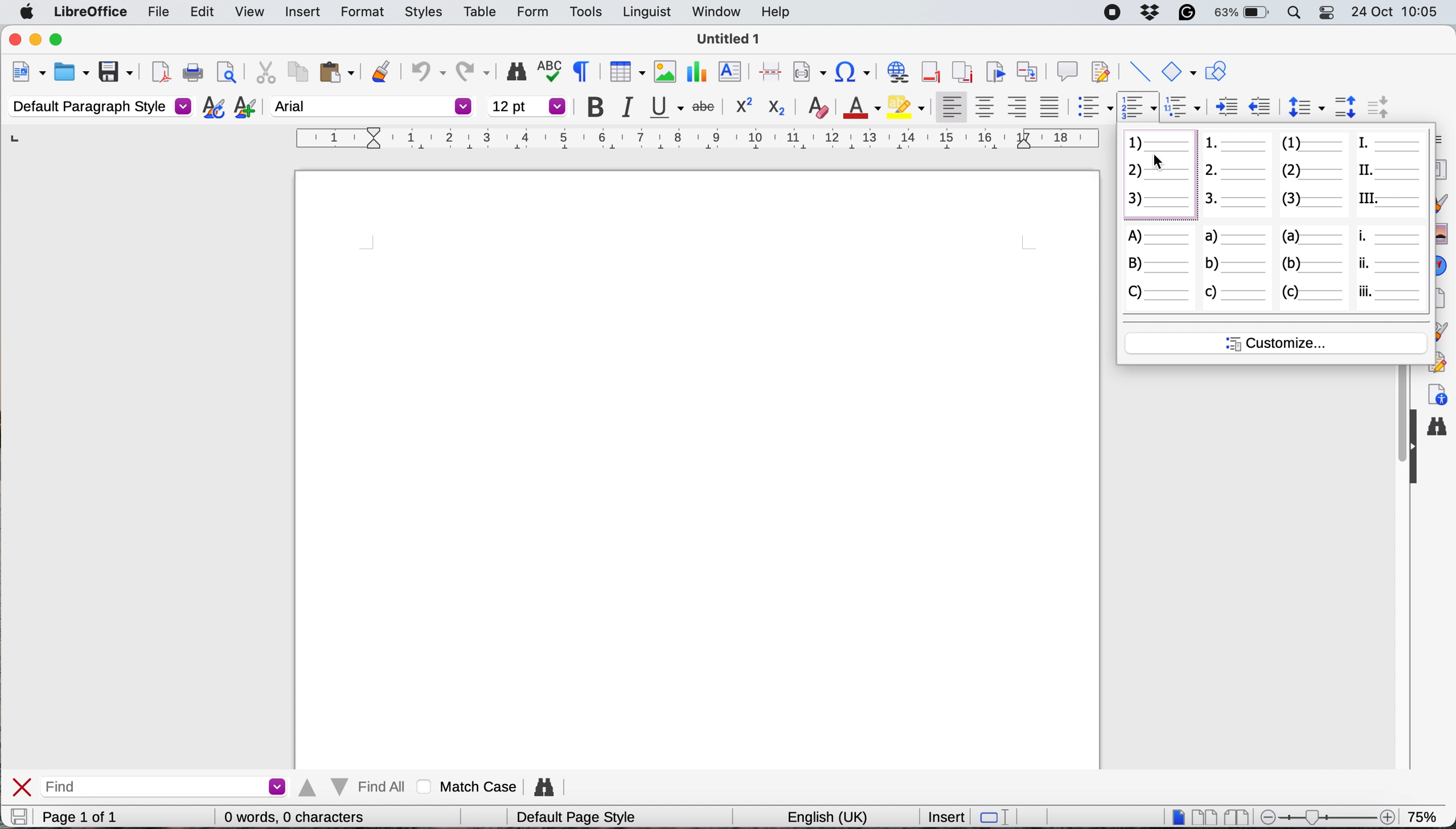 This screenshot has width=1456, height=829. What do you see at coordinates (961, 71) in the screenshot?
I see `insert endnote` at bounding box center [961, 71].